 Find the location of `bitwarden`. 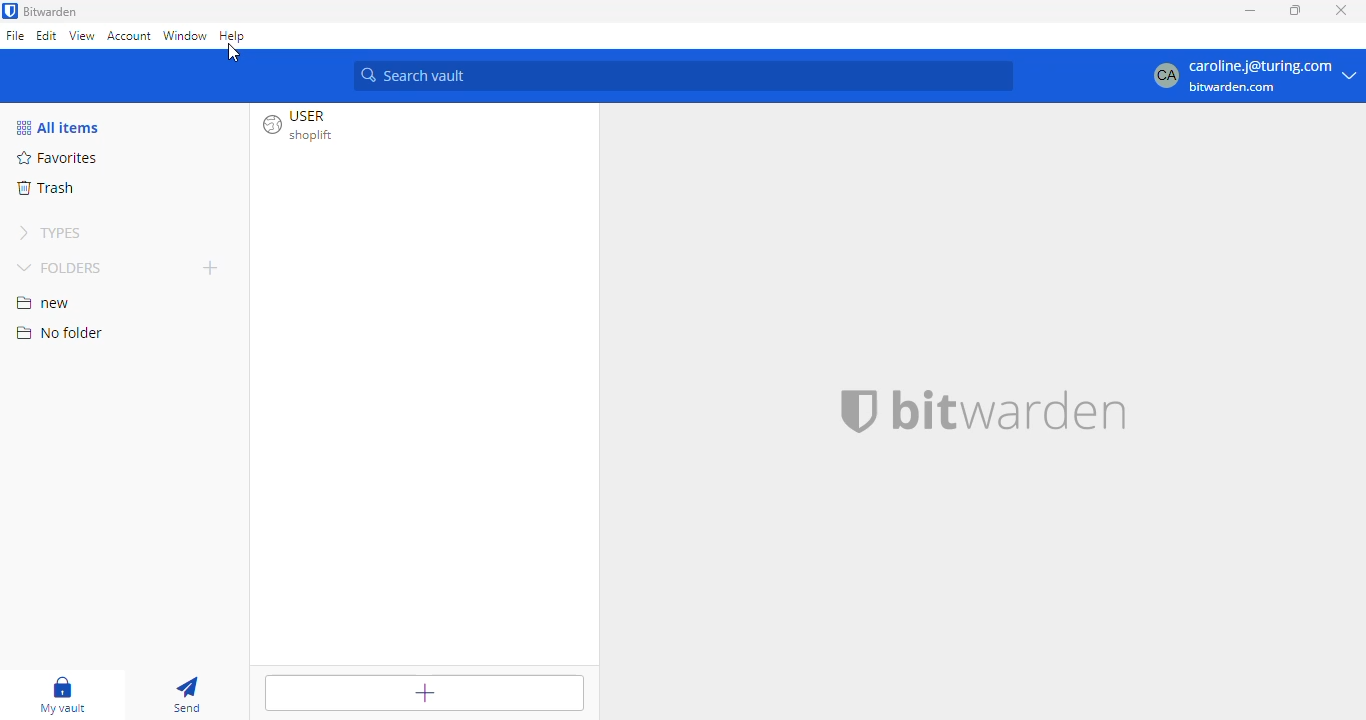

bitwarden is located at coordinates (52, 11).